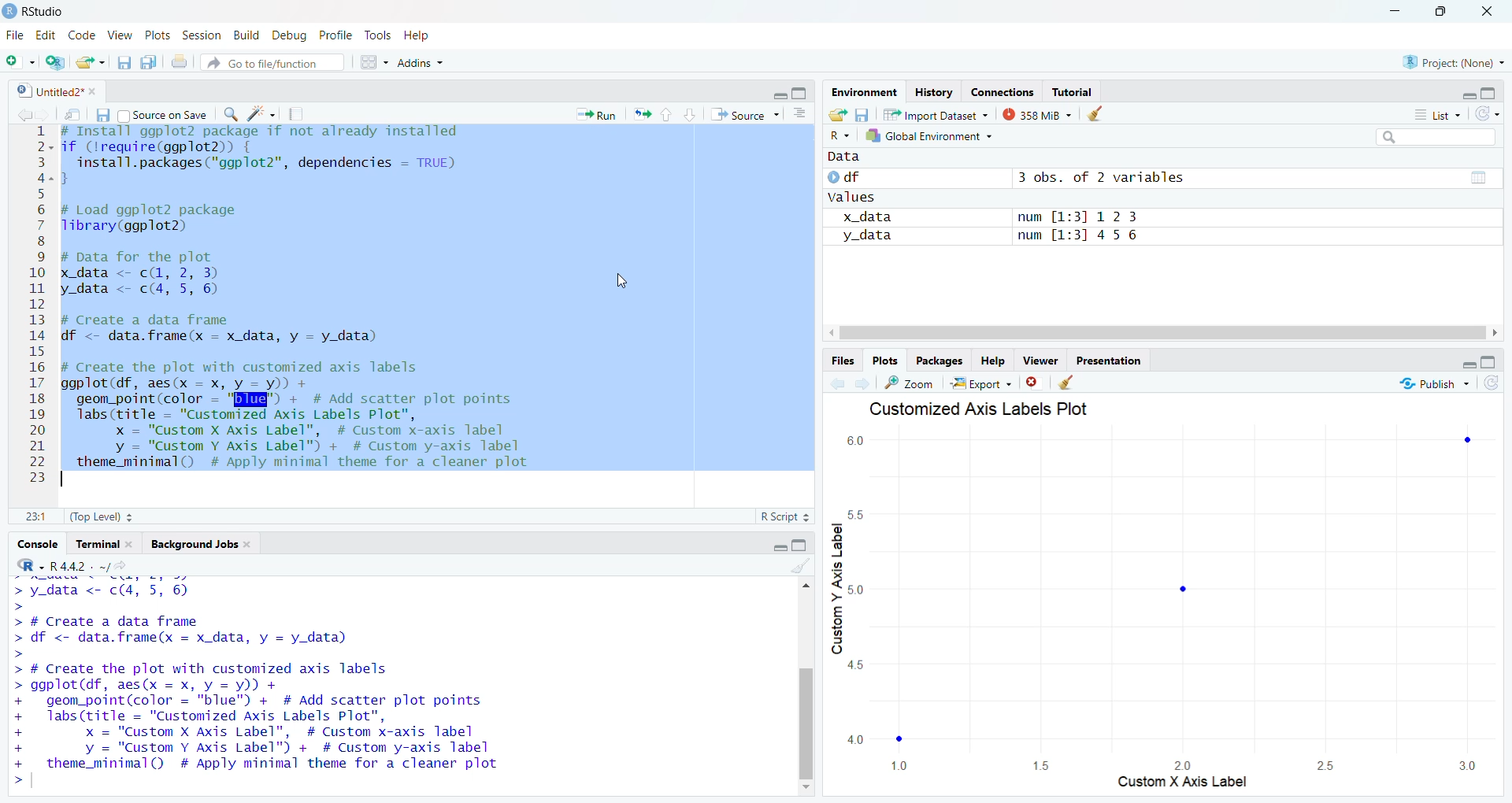 This screenshot has width=1512, height=803. Describe the element at coordinates (423, 35) in the screenshot. I see `Help` at that location.